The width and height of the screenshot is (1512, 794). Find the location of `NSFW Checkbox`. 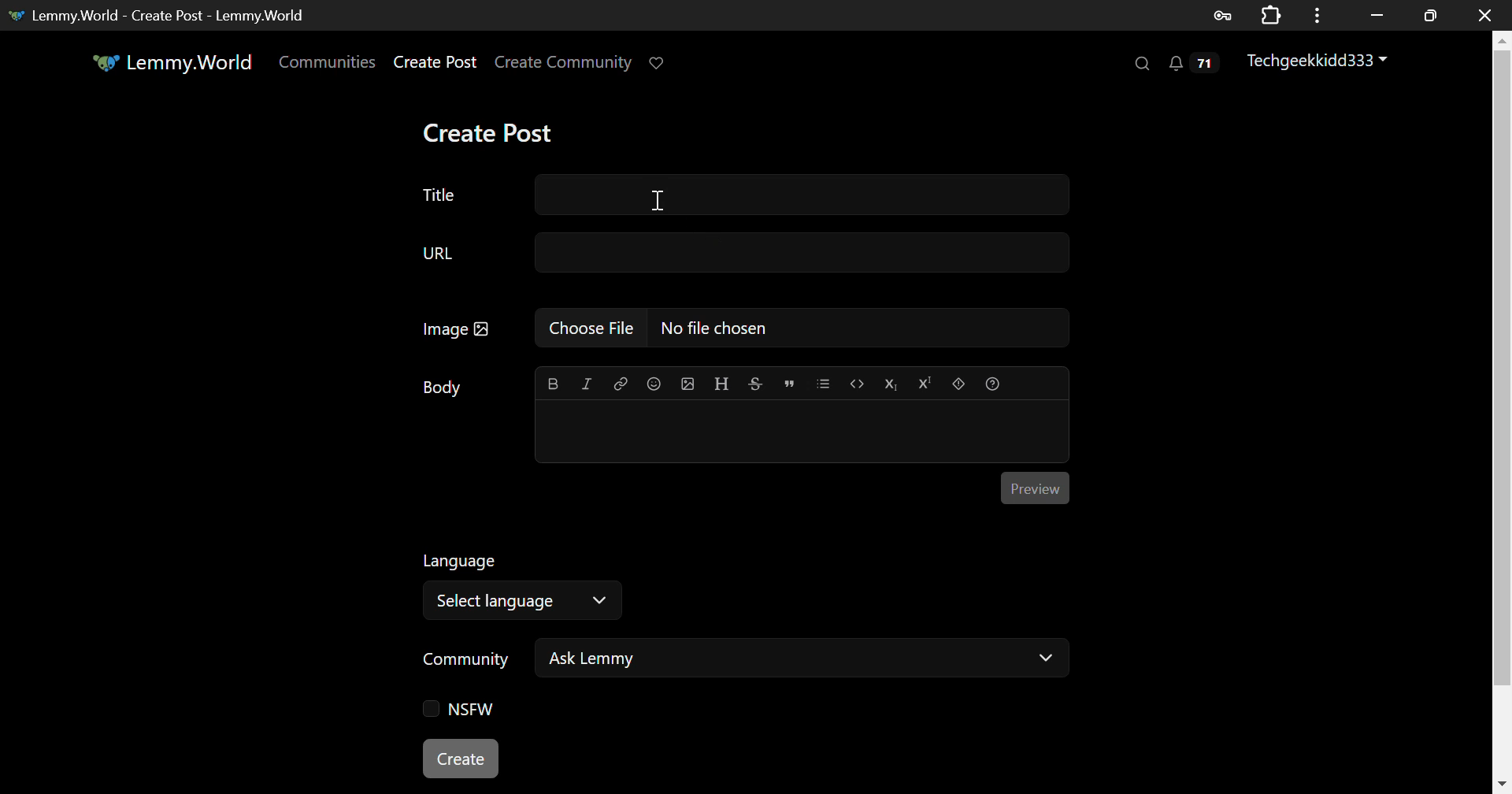

NSFW Checkbox is located at coordinates (465, 710).